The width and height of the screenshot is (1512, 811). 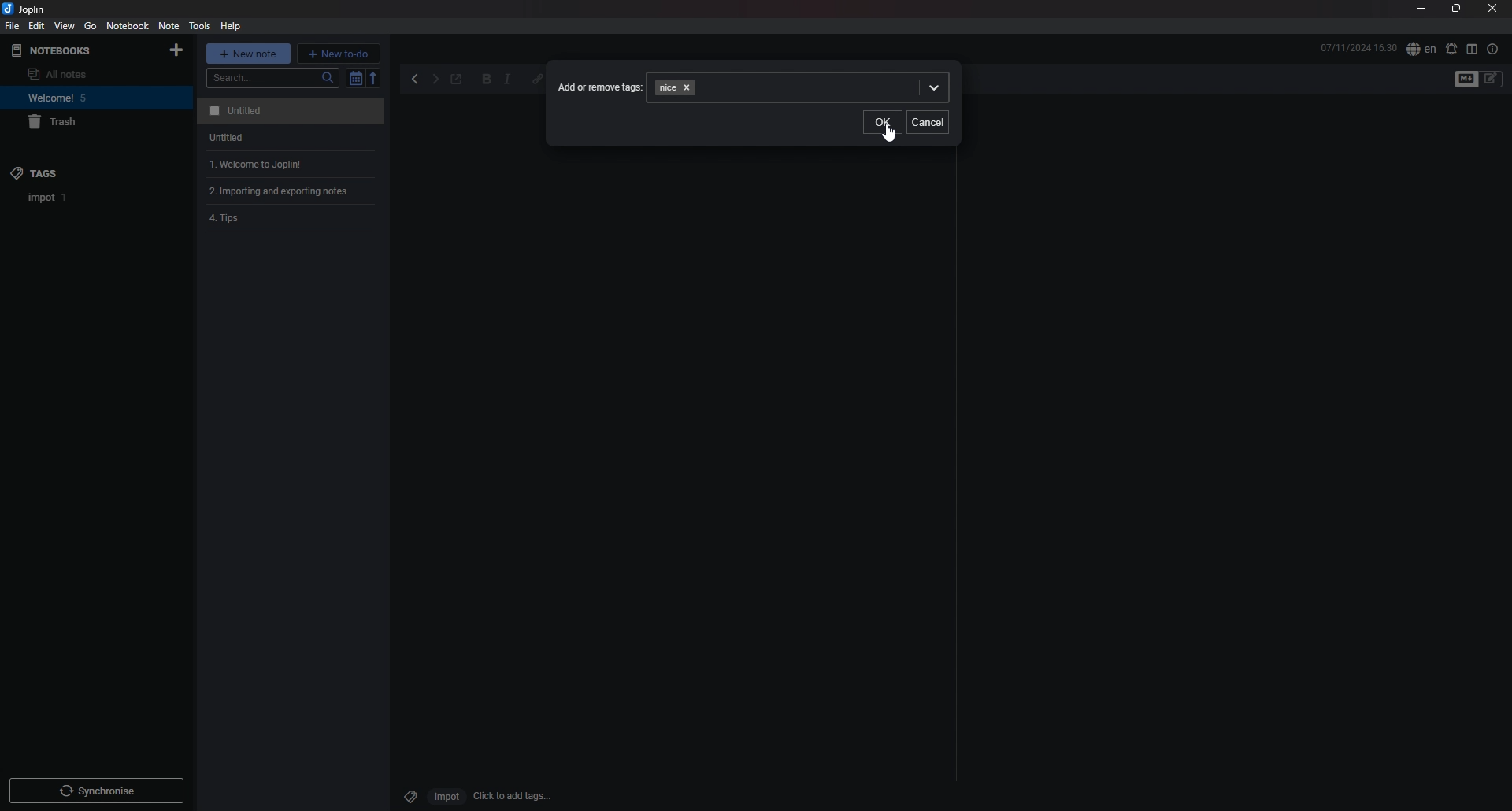 What do you see at coordinates (76, 74) in the screenshot?
I see `all notes` at bounding box center [76, 74].